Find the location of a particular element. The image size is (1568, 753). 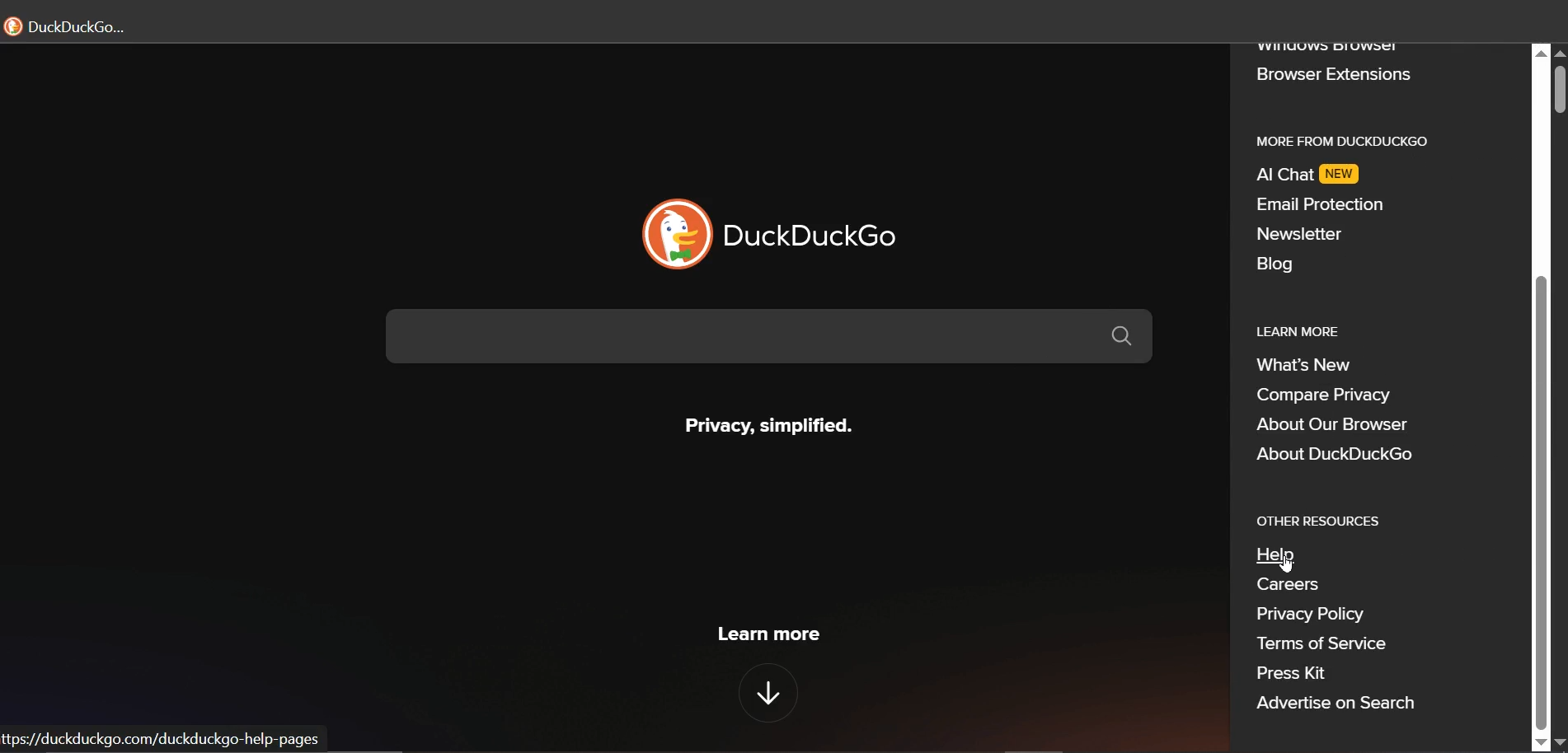

scroll down is located at coordinates (1540, 743).